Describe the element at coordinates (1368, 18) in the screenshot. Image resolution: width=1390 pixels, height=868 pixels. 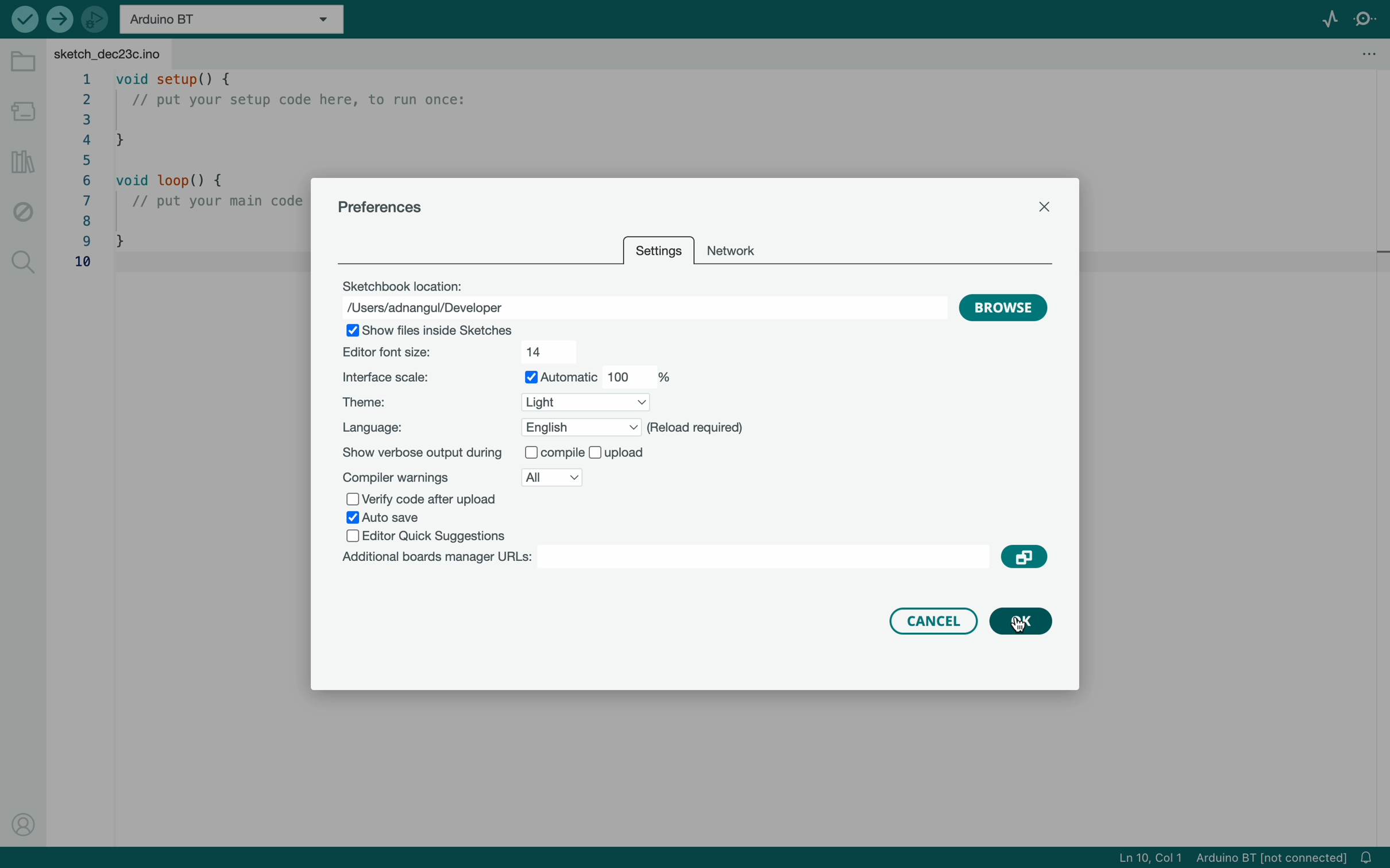
I see `serial monitor` at that location.